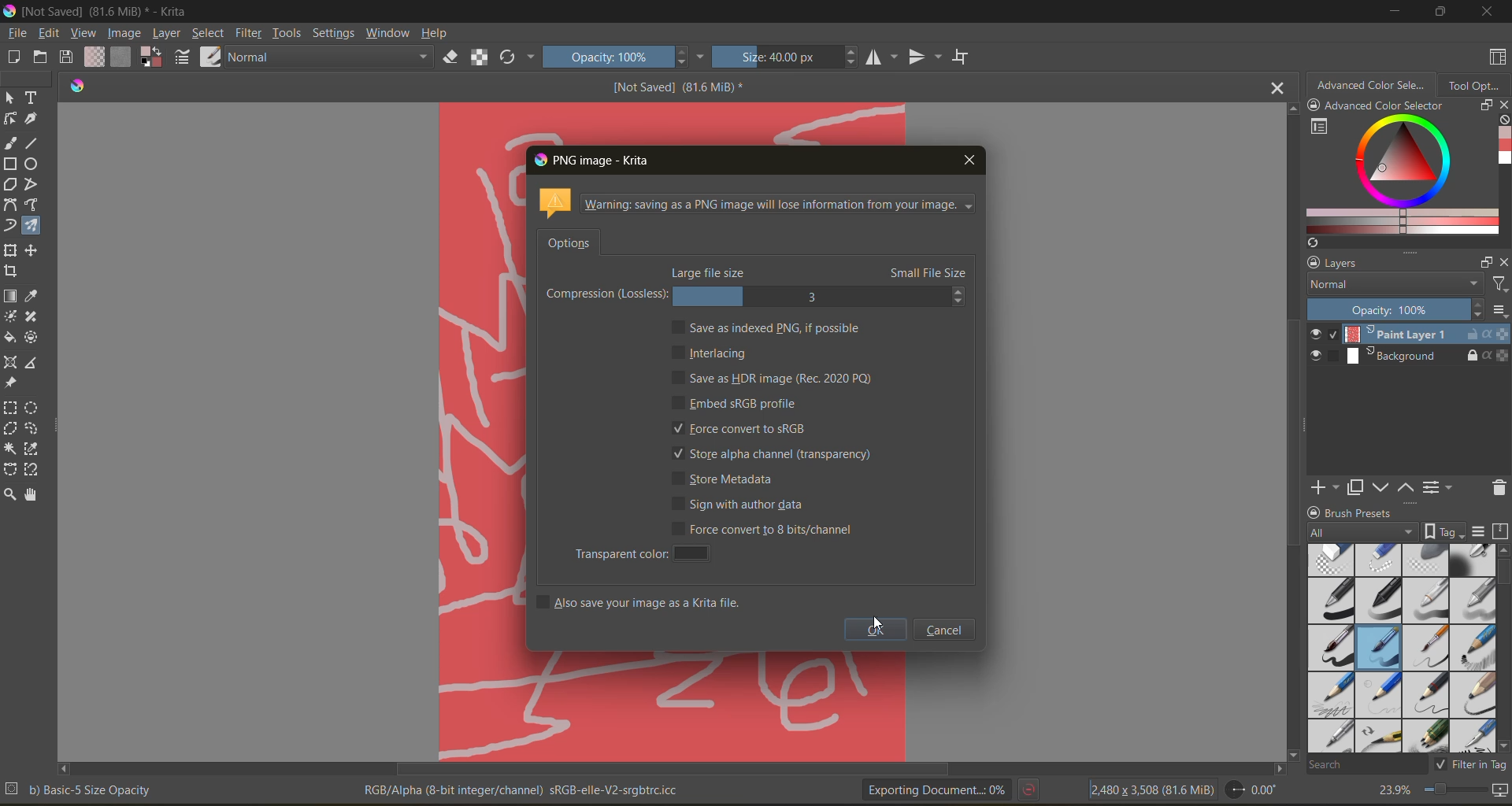  What do you see at coordinates (922, 58) in the screenshot?
I see `flip vertically` at bounding box center [922, 58].